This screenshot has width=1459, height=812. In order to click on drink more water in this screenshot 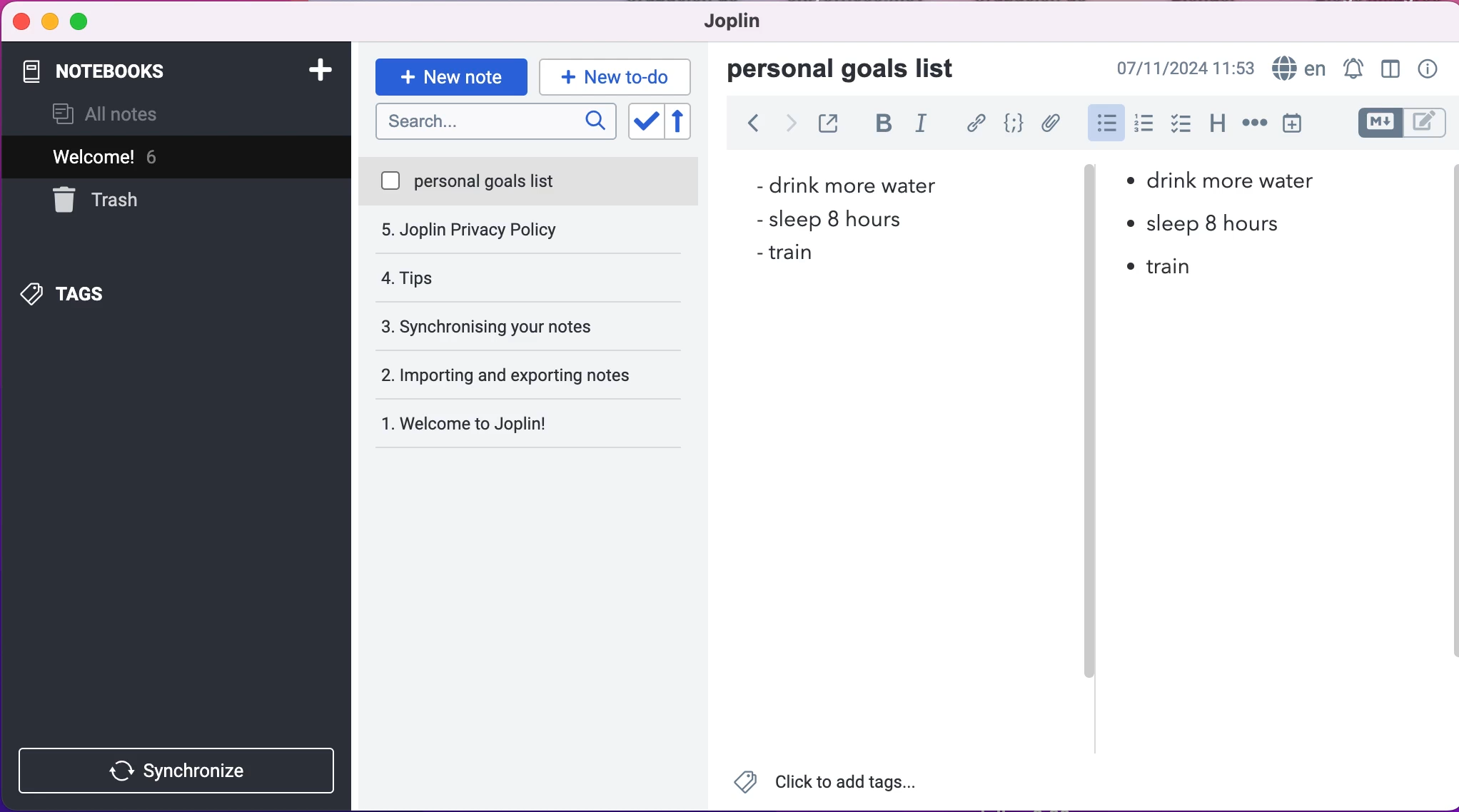, I will do `click(844, 184)`.